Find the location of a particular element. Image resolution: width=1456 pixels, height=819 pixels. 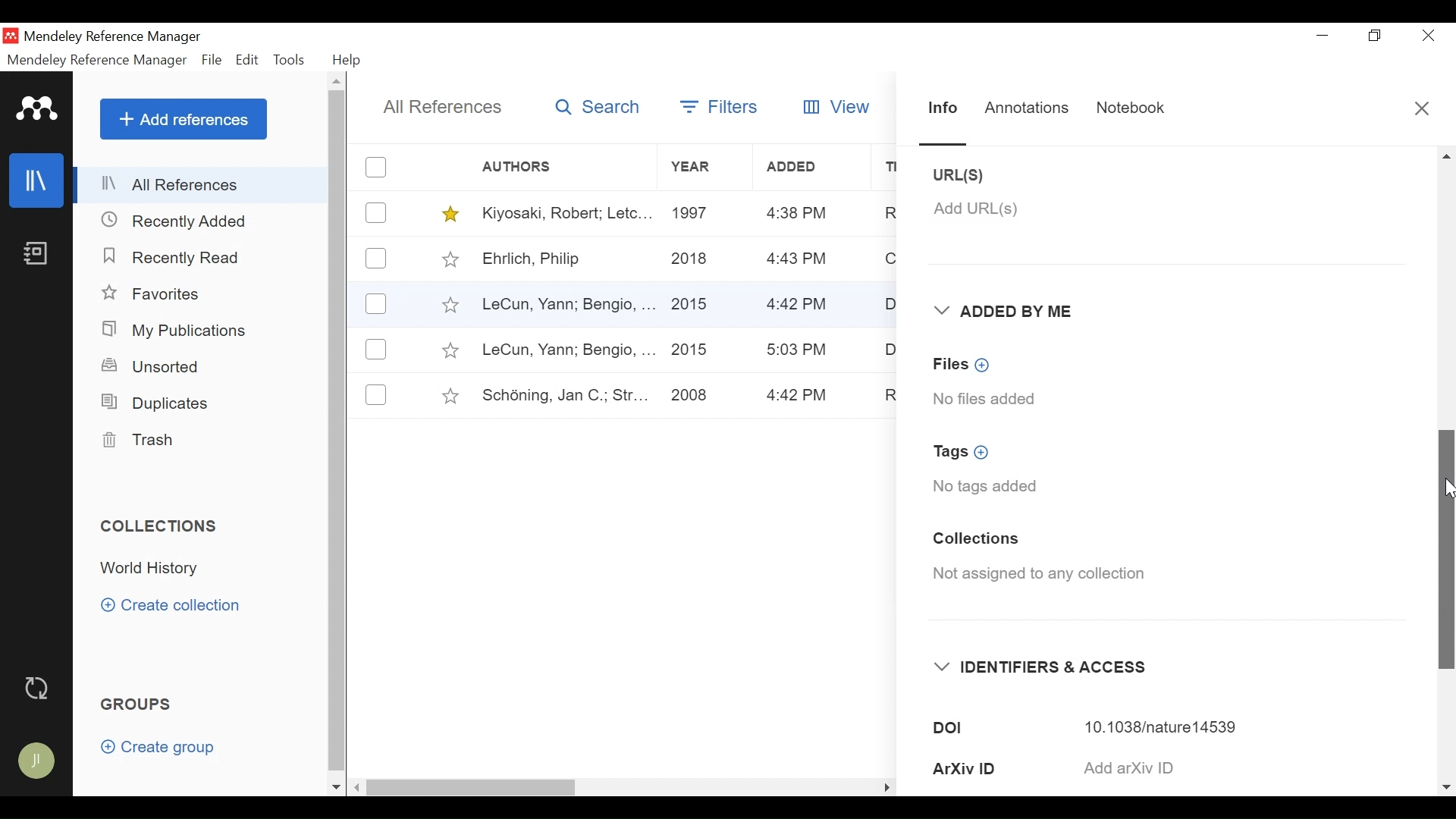

Schoning, Jan C.; Str.. is located at coordinates (560, 393).